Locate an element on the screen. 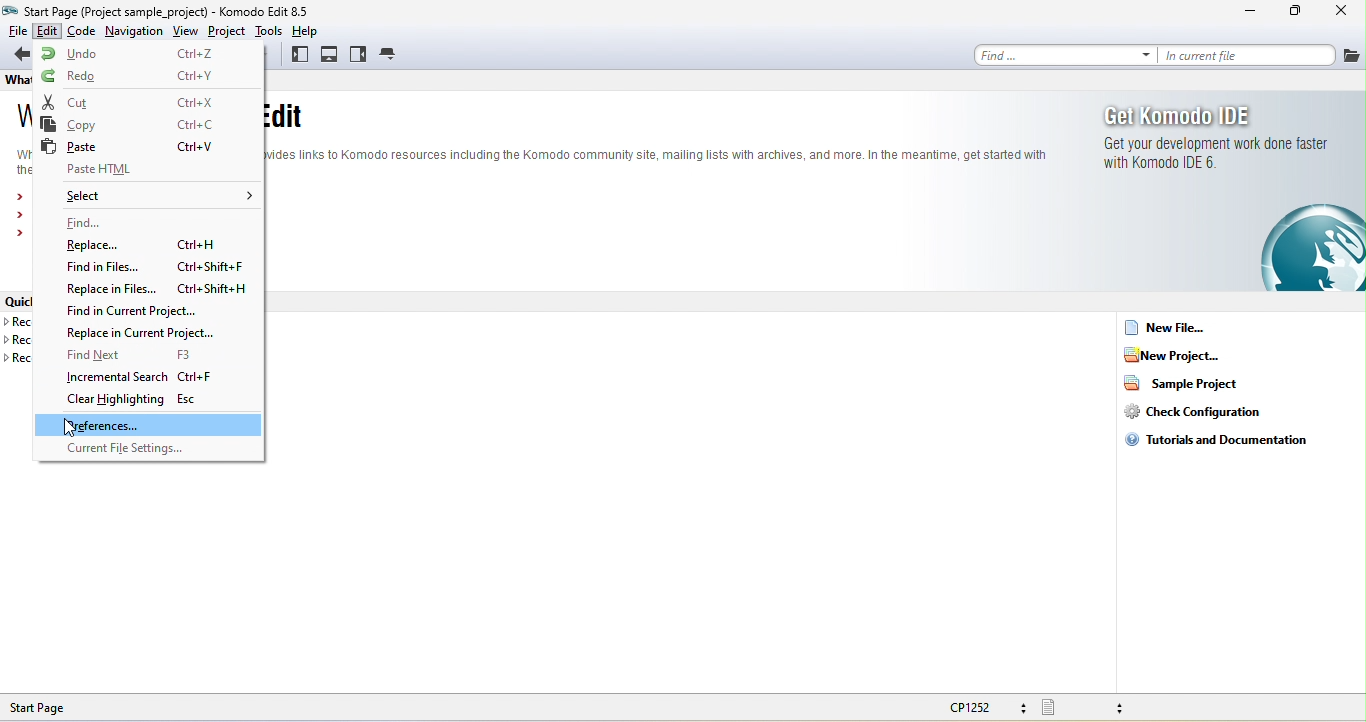 This screenshot has height=722, width=1366. navigation is located at coordinates (137, 31).